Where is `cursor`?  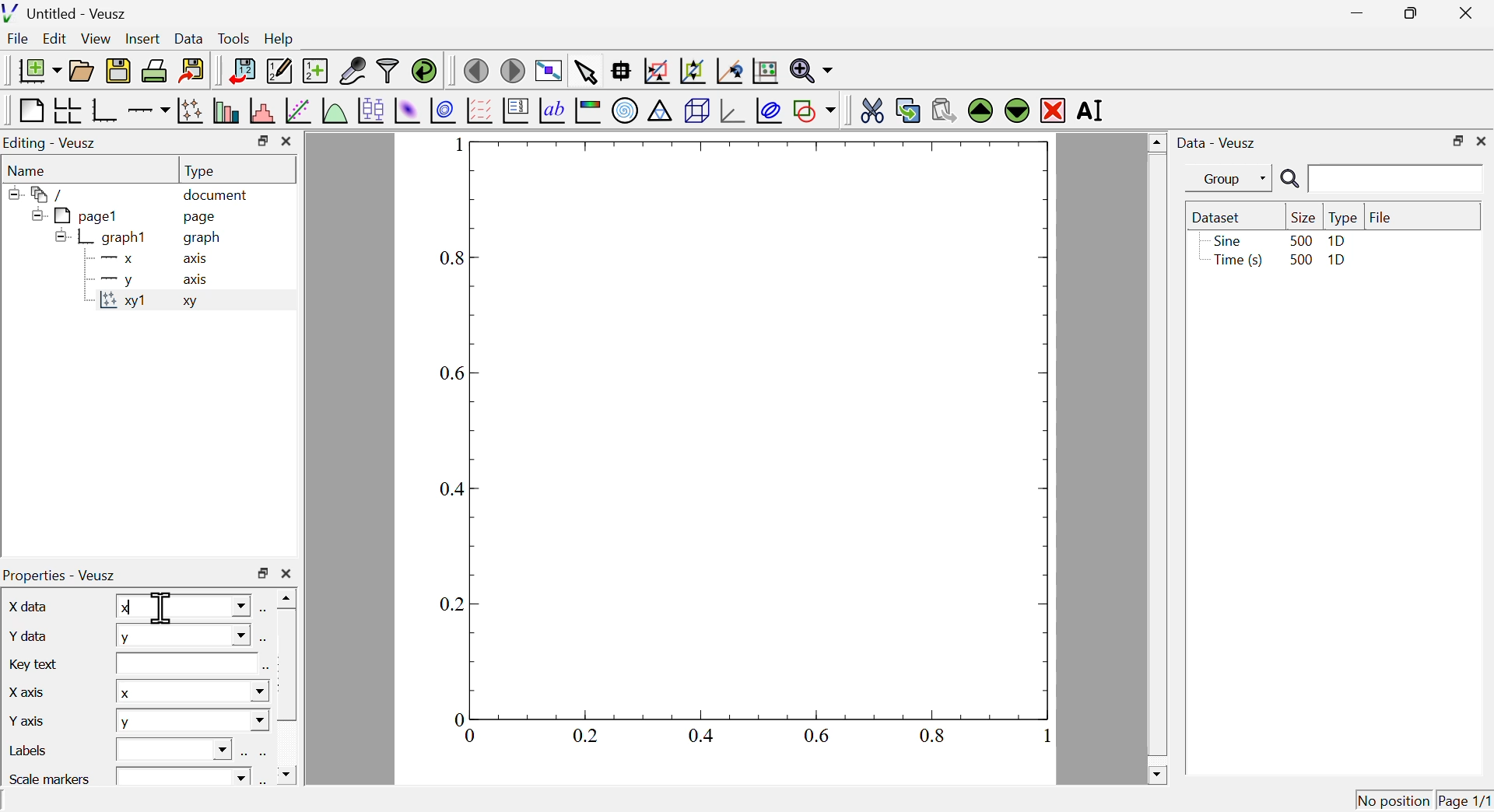 cursor is located at coordinates (192, 51).